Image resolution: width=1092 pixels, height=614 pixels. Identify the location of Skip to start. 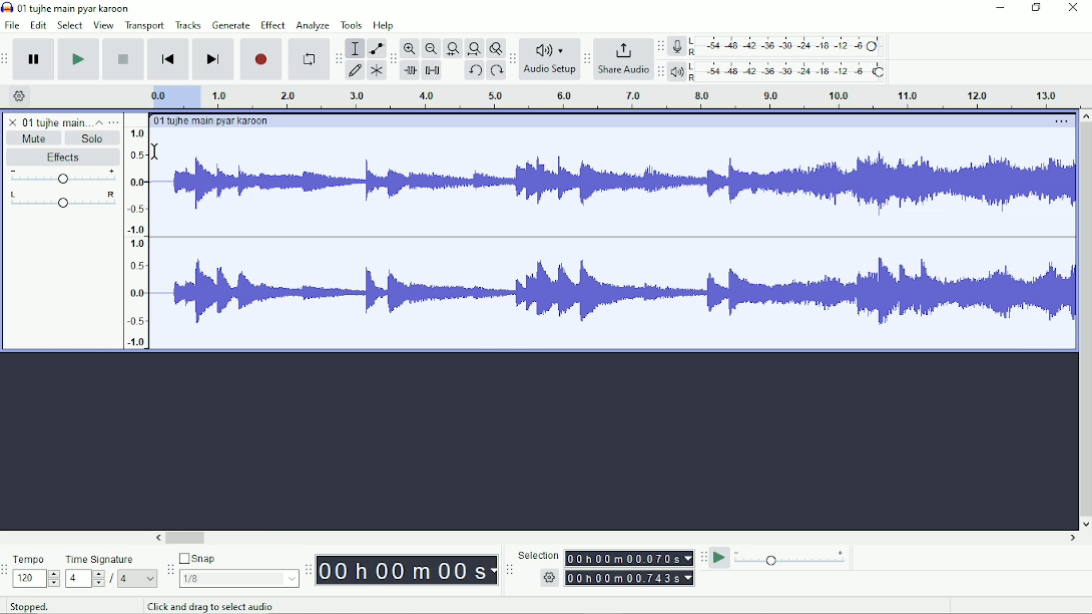
(168, 60).